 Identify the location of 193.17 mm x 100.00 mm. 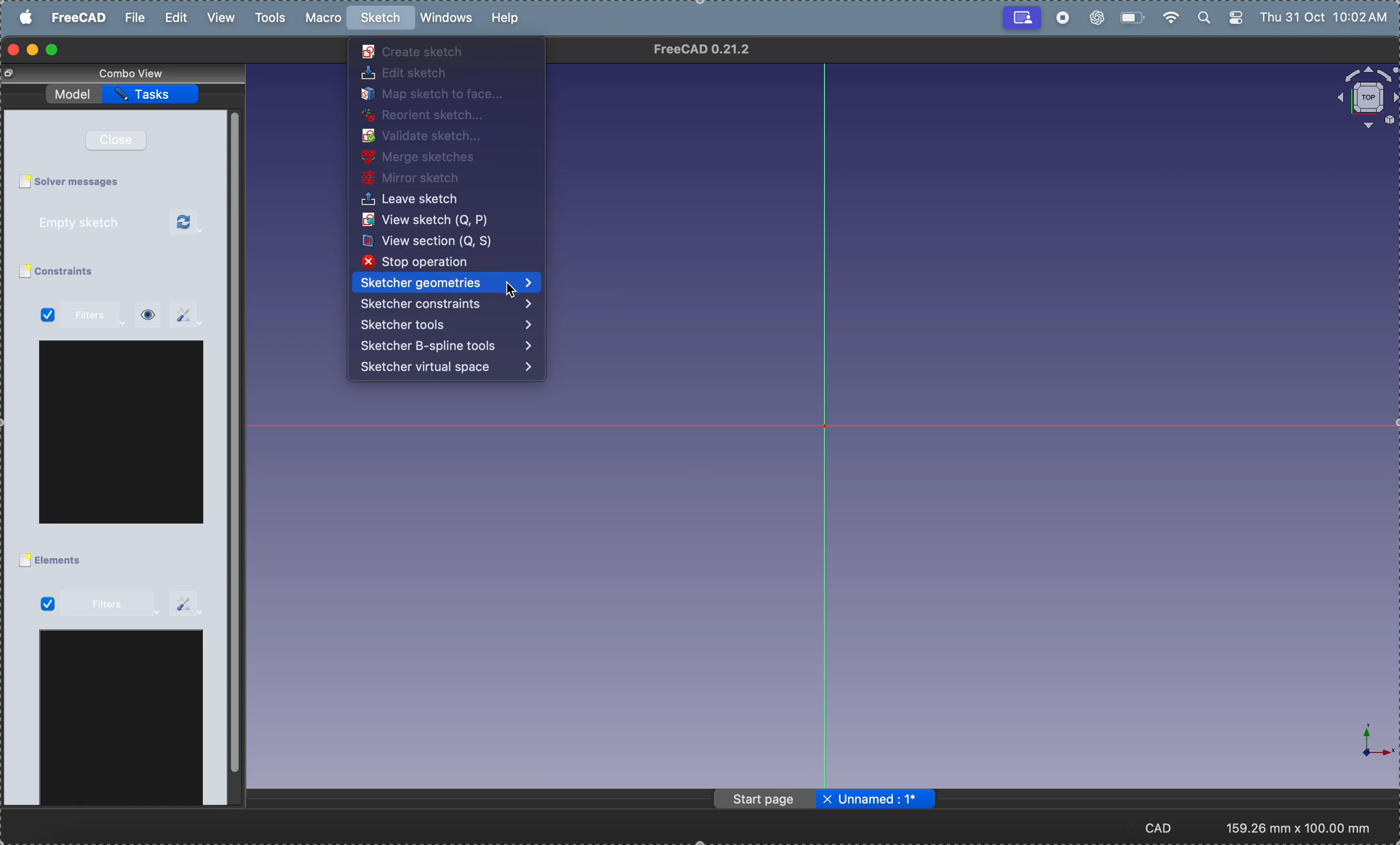
(1299, 828).